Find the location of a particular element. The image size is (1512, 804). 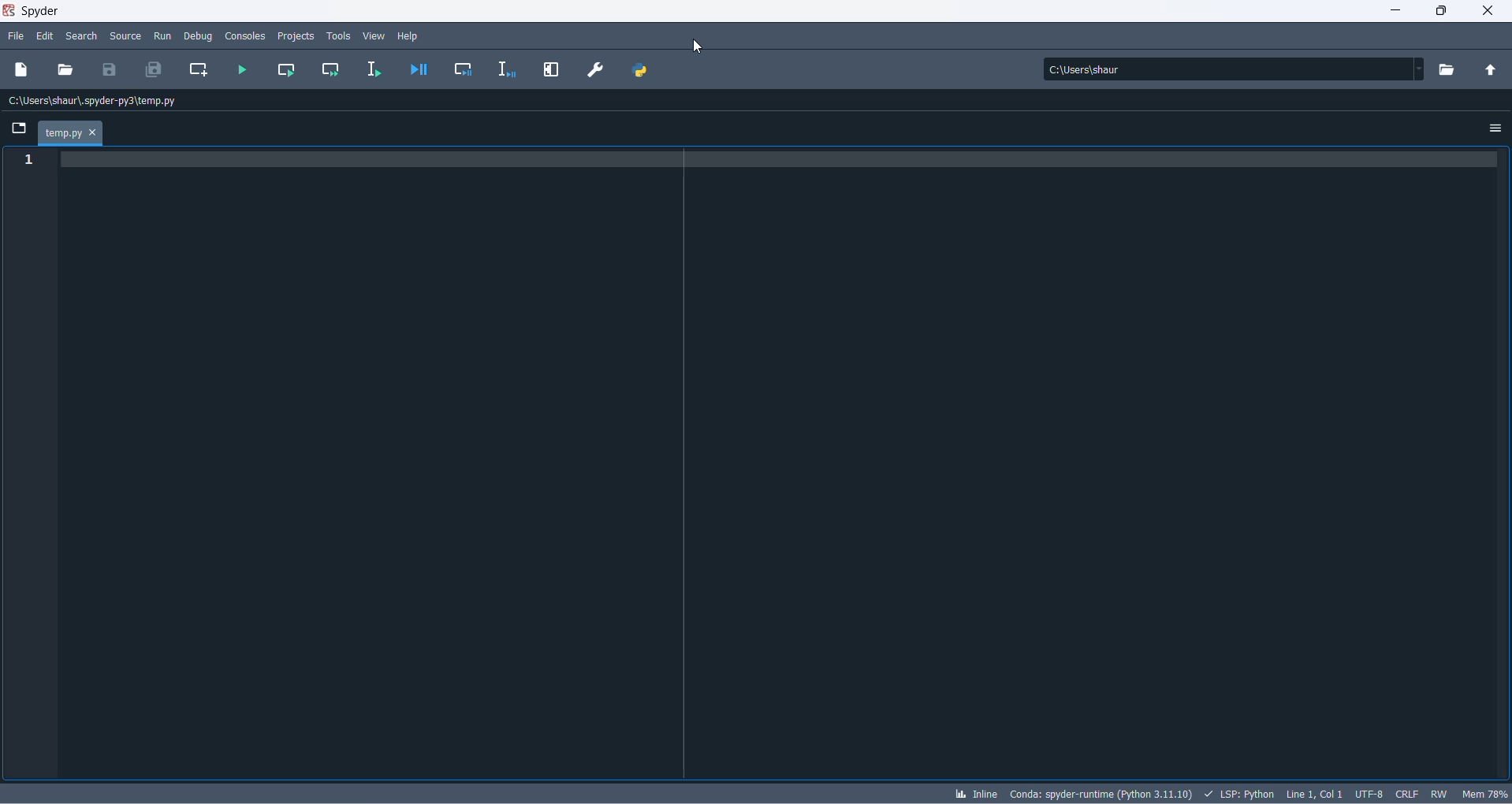

cursor is located at coordinates (696, 48).